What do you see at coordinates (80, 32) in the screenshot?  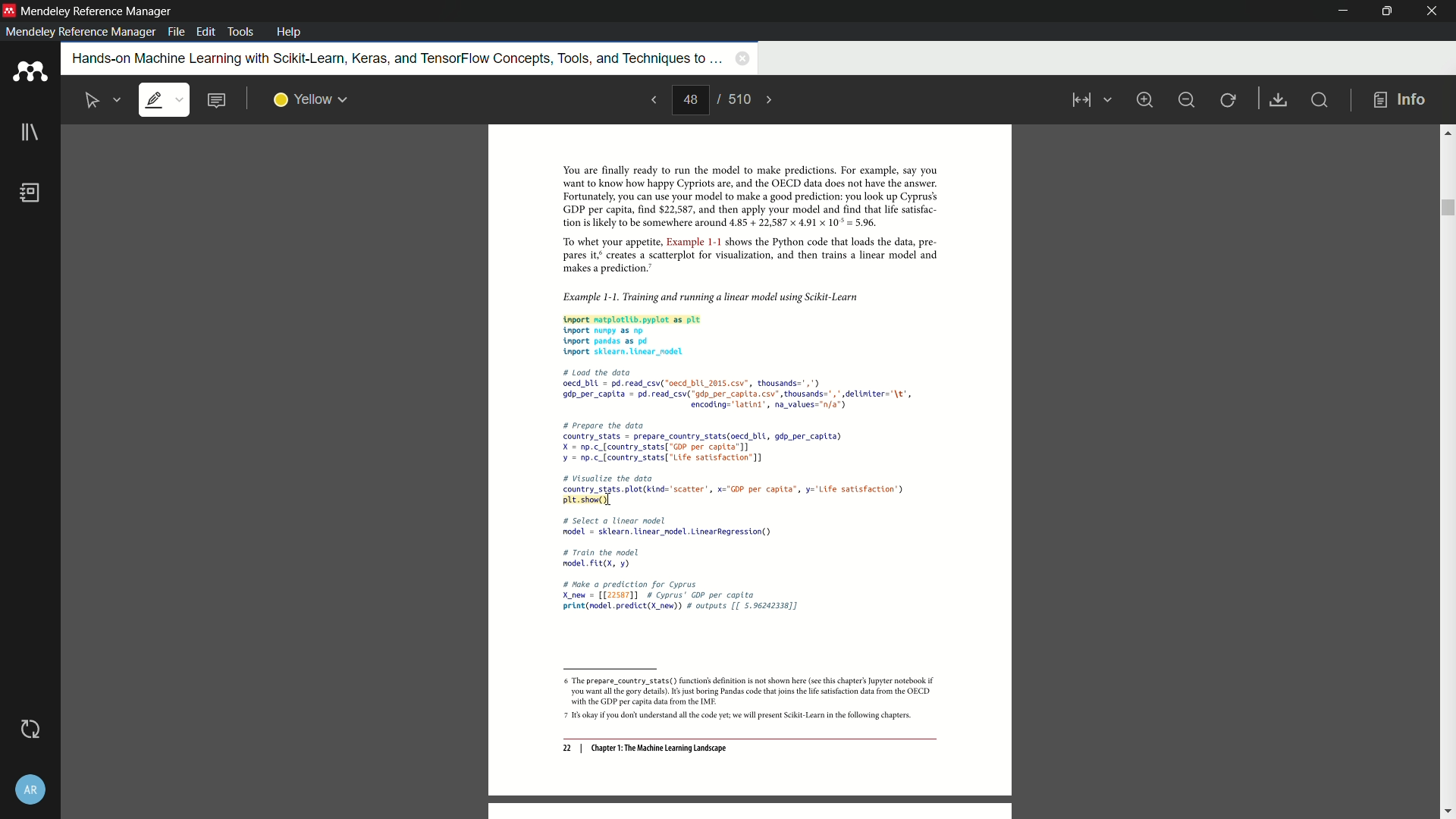 I see `mendeley reference manager` at bounding box center [80, 32].